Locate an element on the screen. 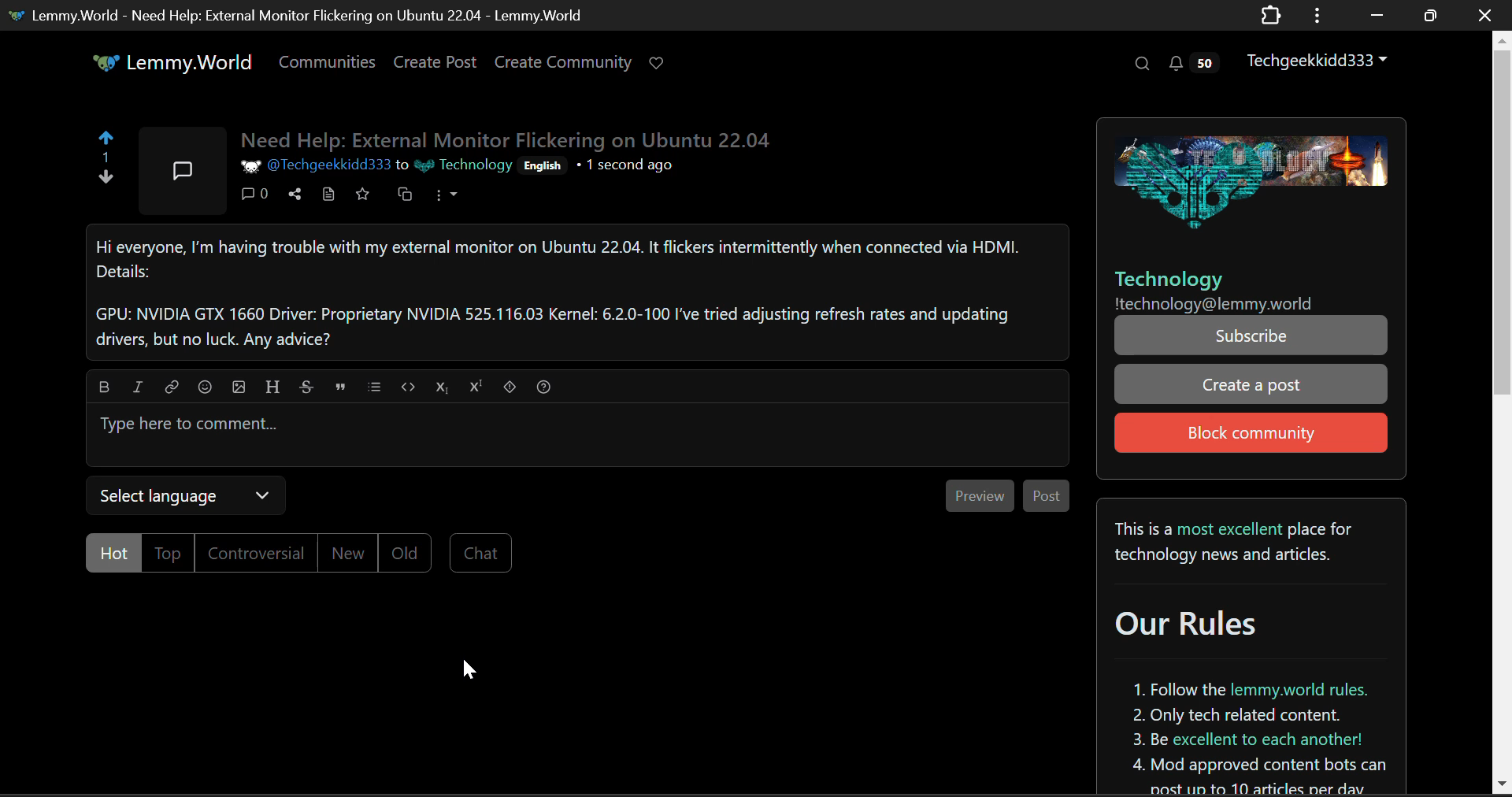 This screenshot has width=1512, height=797. Cursor Position AFTER_LAST_ACTION is located at coordinates (469, 669).